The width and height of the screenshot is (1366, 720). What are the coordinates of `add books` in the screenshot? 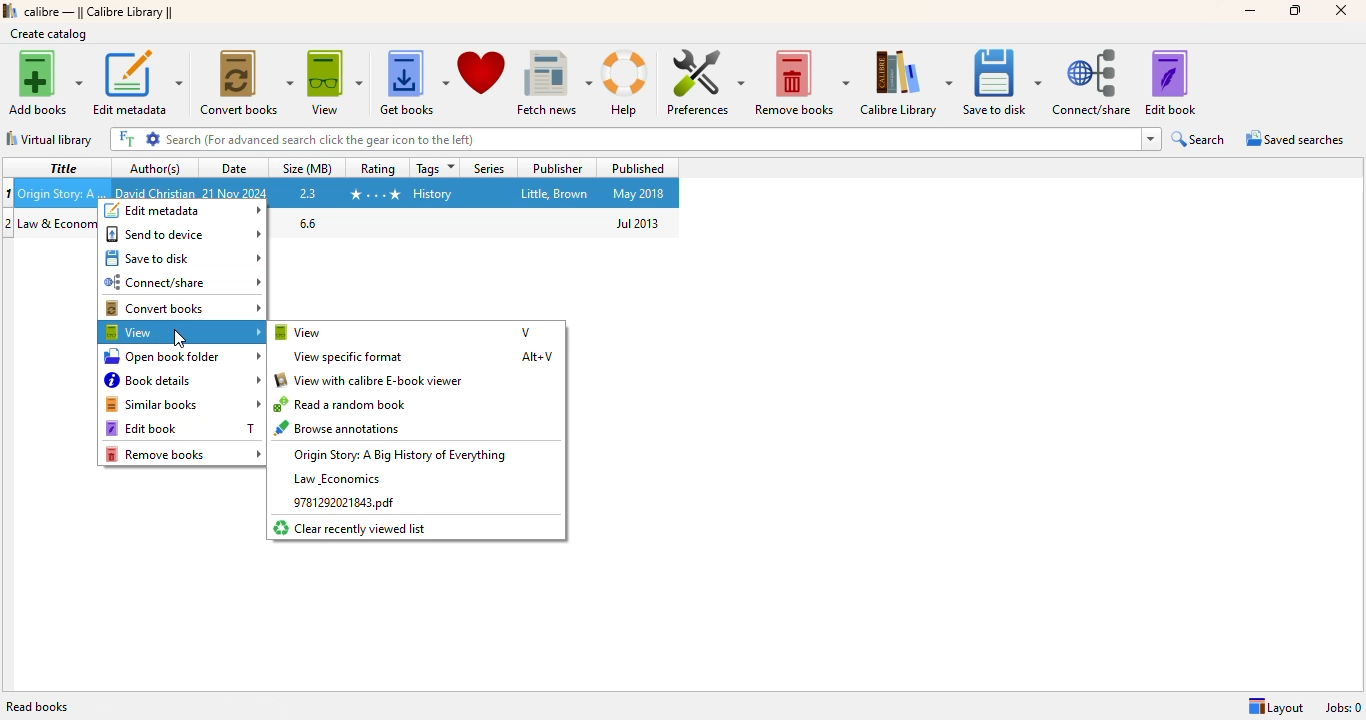 It's located at (44, 82).